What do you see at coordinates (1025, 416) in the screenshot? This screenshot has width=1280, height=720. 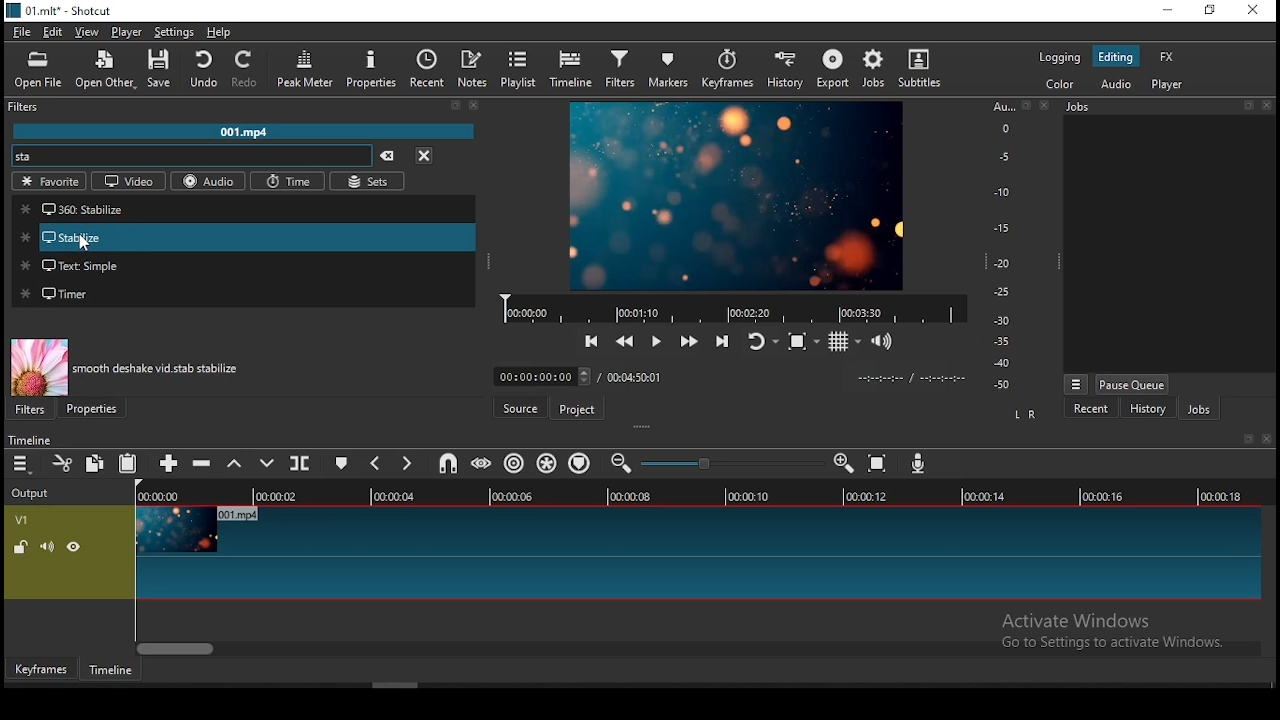 I see `L R` at bounding box center [1025, 416].